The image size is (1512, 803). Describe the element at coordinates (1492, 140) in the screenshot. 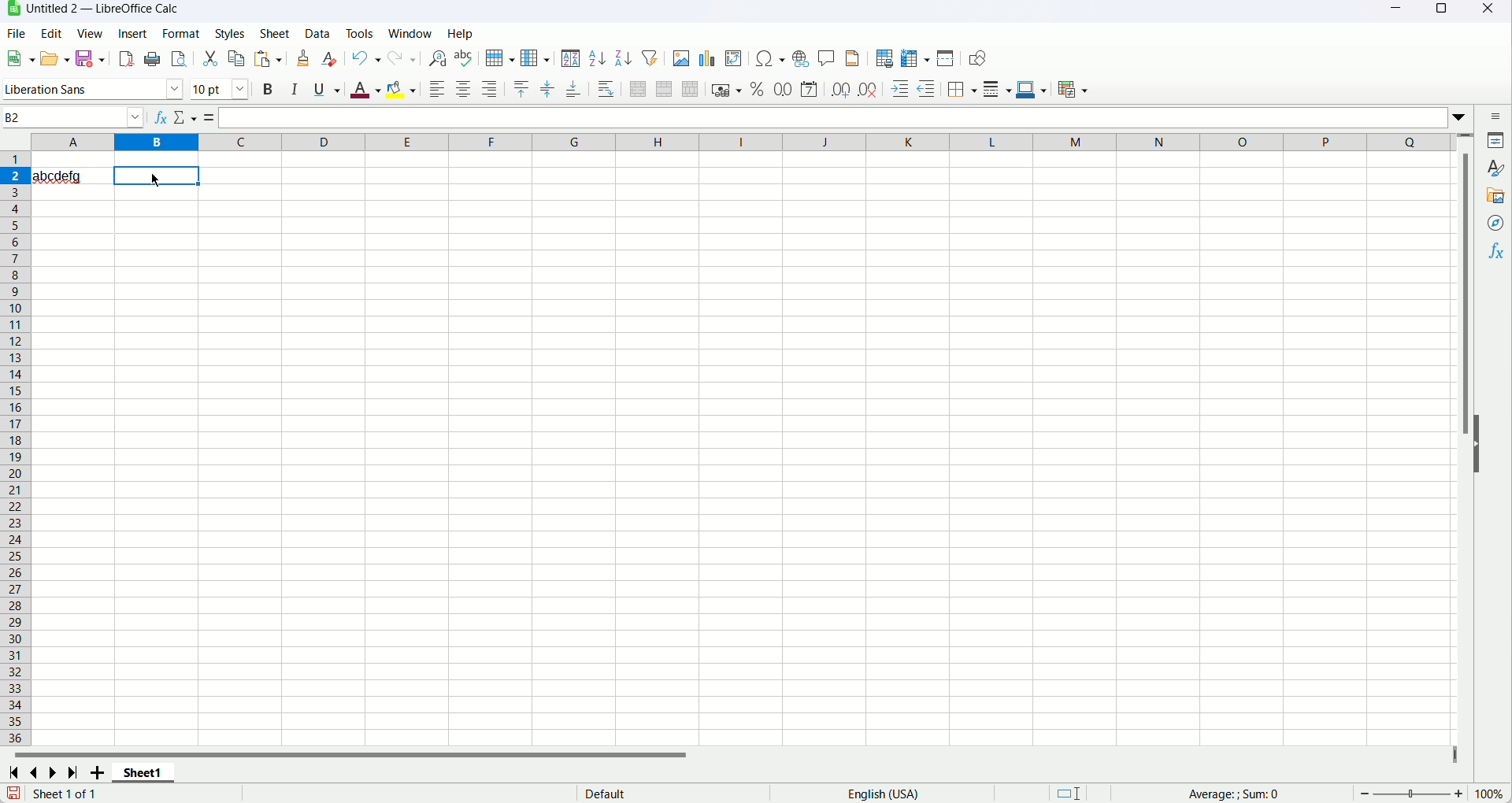

I see `properties` at that location.